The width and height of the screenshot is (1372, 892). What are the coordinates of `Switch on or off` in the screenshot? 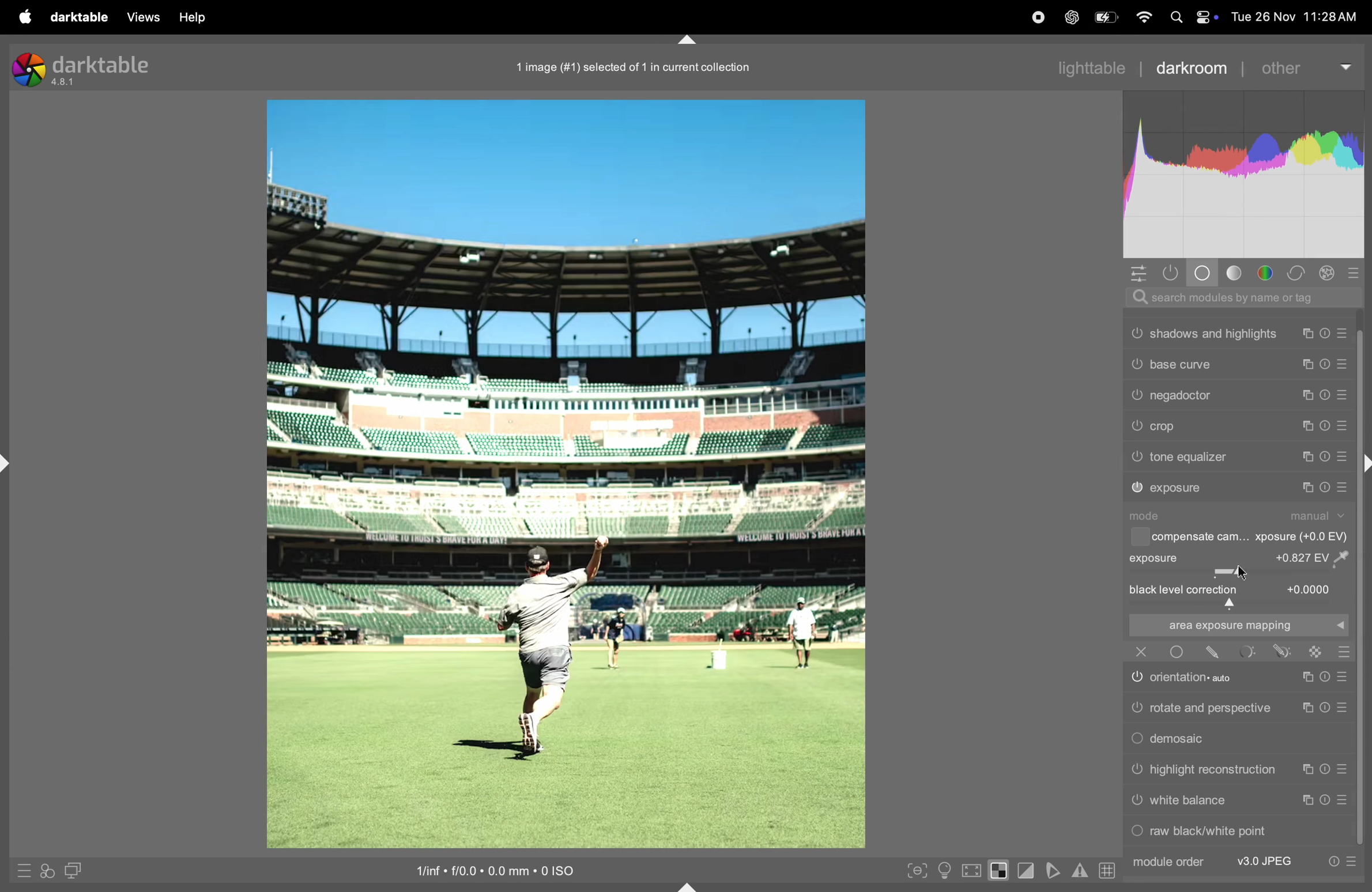 It's located at (1136, 426).